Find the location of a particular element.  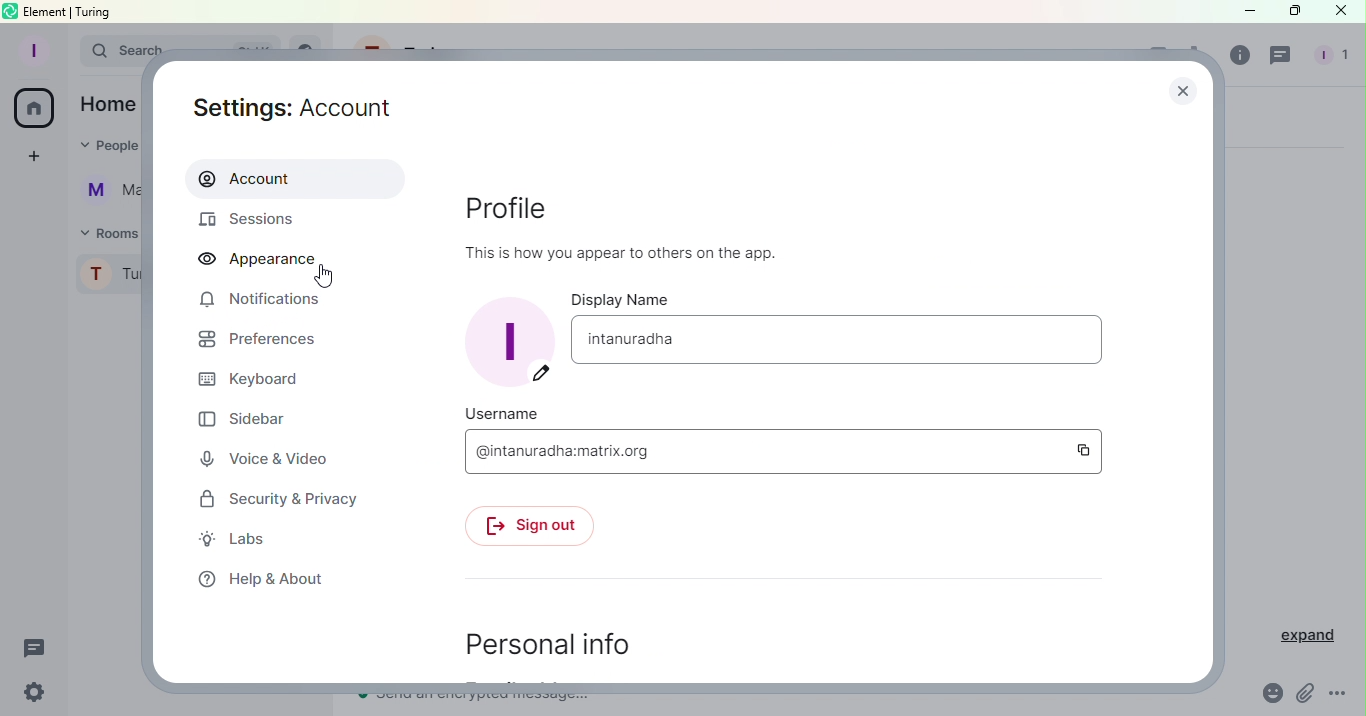

Copy is located at coordinates (1089, 450).